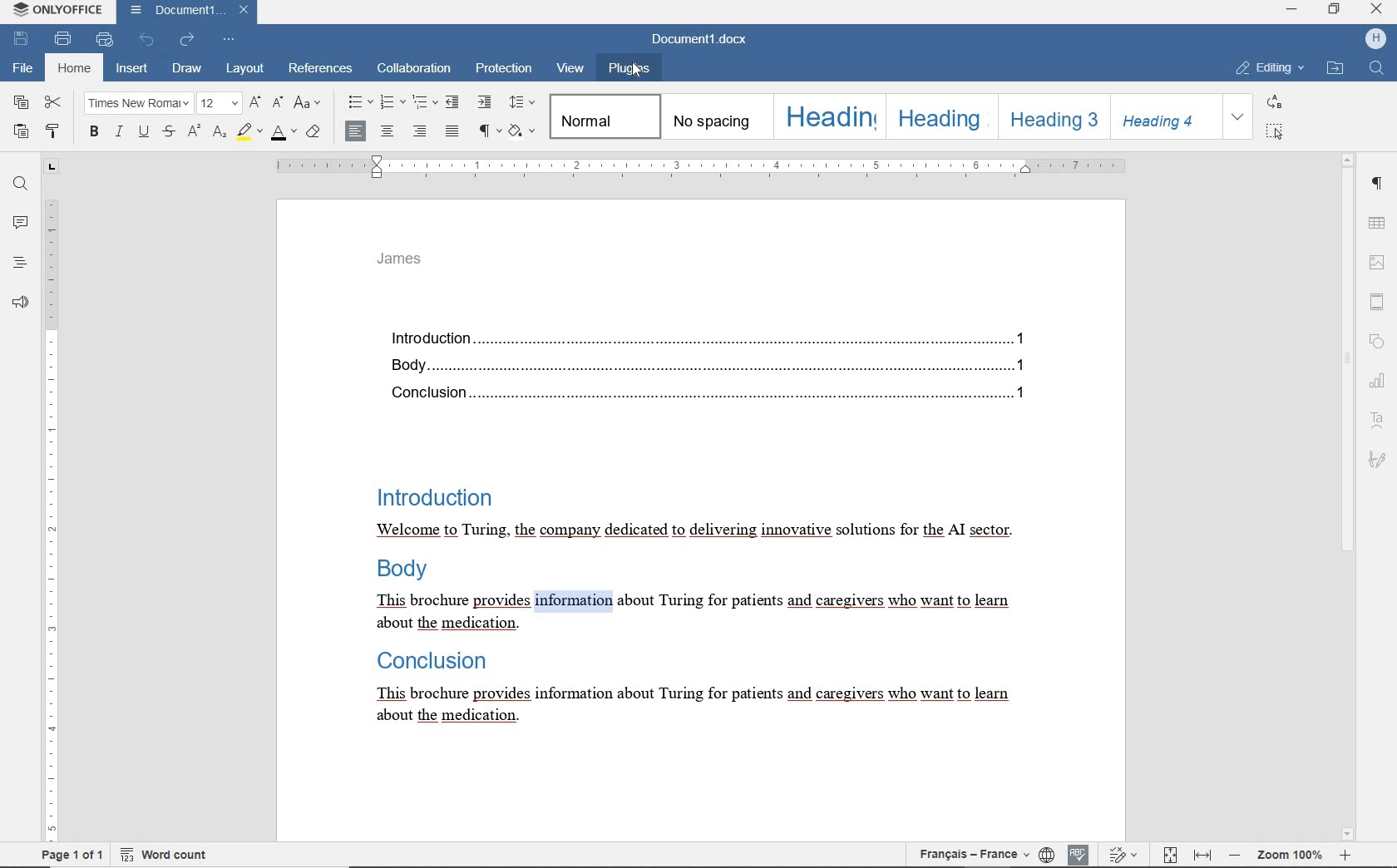 The height and width of the screenshot is (868, 1397). Describe the element at coordinates (523, 103) in the screenshot. I see `PARAGRAPH LINE SPACING` at that location.